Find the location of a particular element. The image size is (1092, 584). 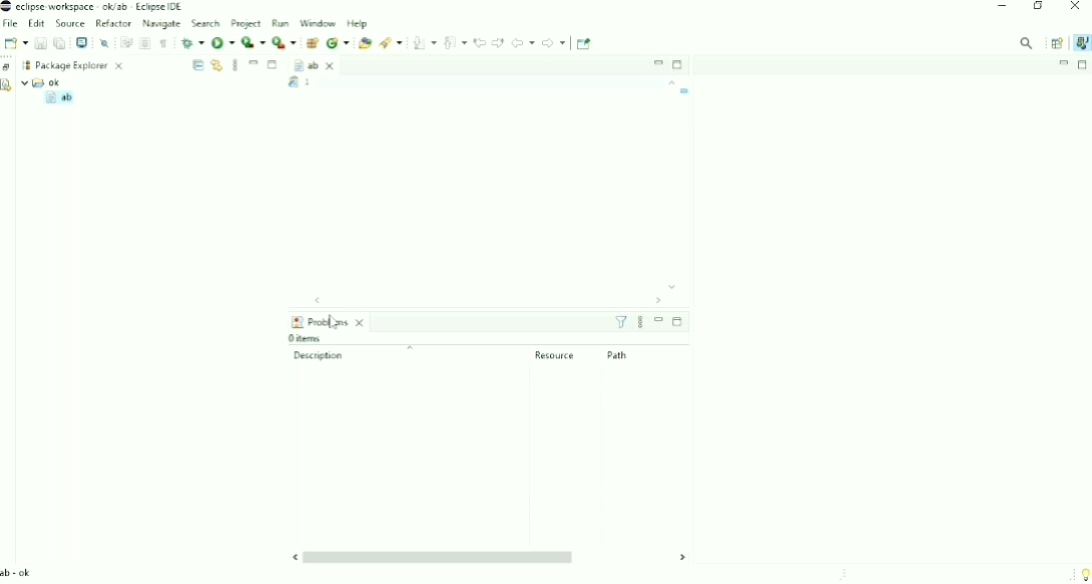

Maximize is located at coordinates (679, 65).